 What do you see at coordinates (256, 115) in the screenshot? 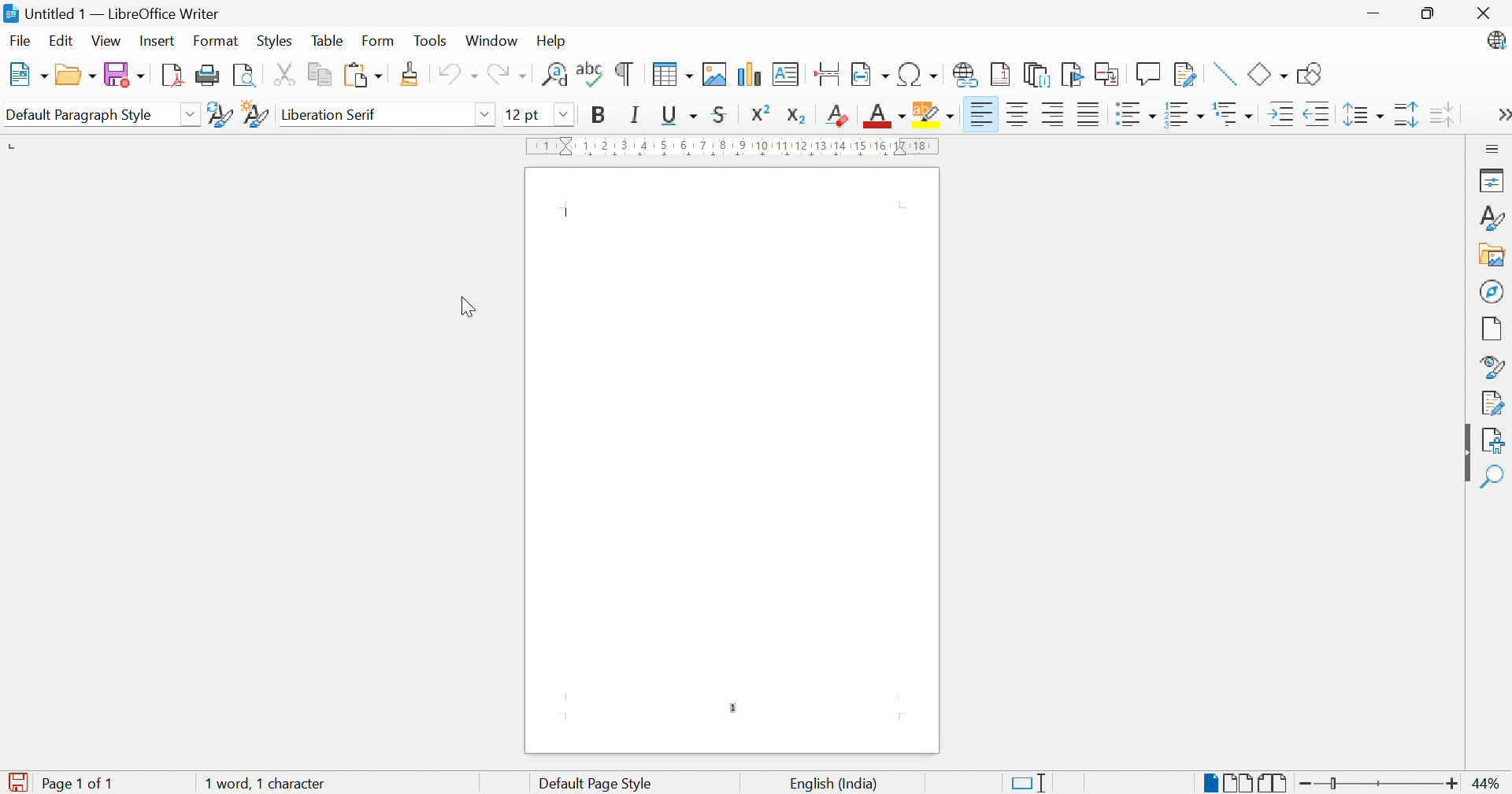
I see `New style from selection` at bounding box center [256, 115].